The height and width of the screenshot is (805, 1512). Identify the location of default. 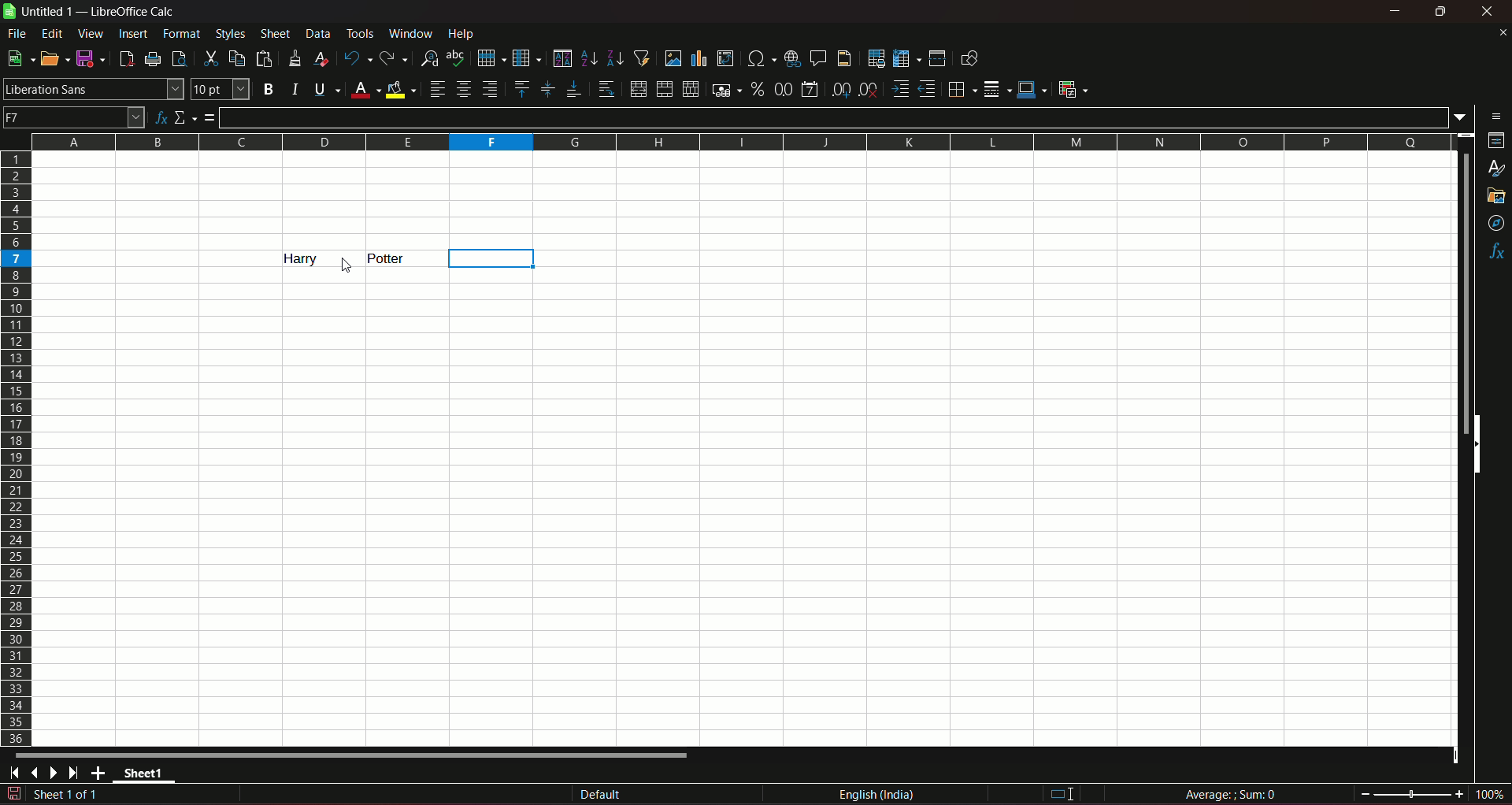
(601, 796).